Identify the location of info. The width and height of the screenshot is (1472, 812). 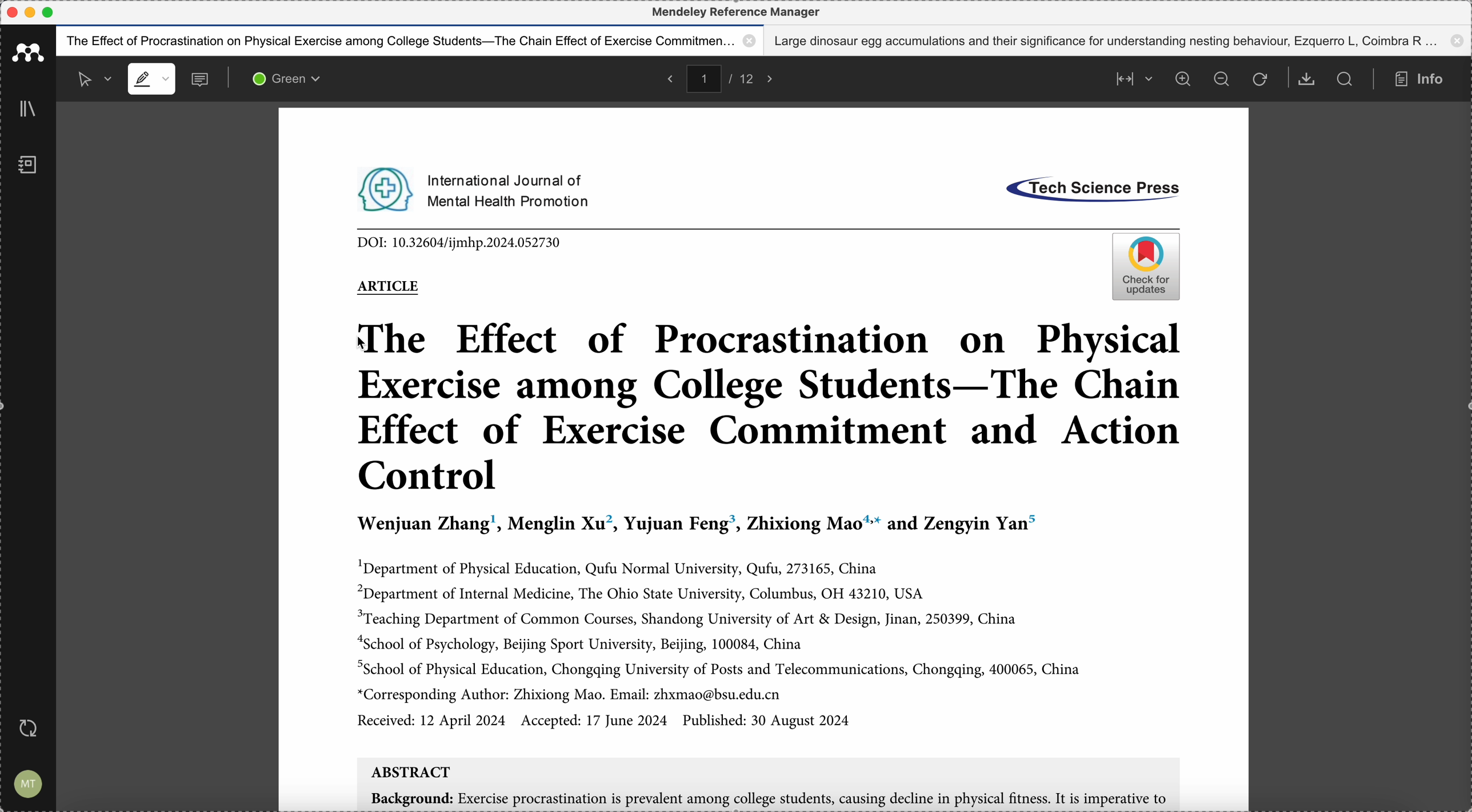
(1423, 79).